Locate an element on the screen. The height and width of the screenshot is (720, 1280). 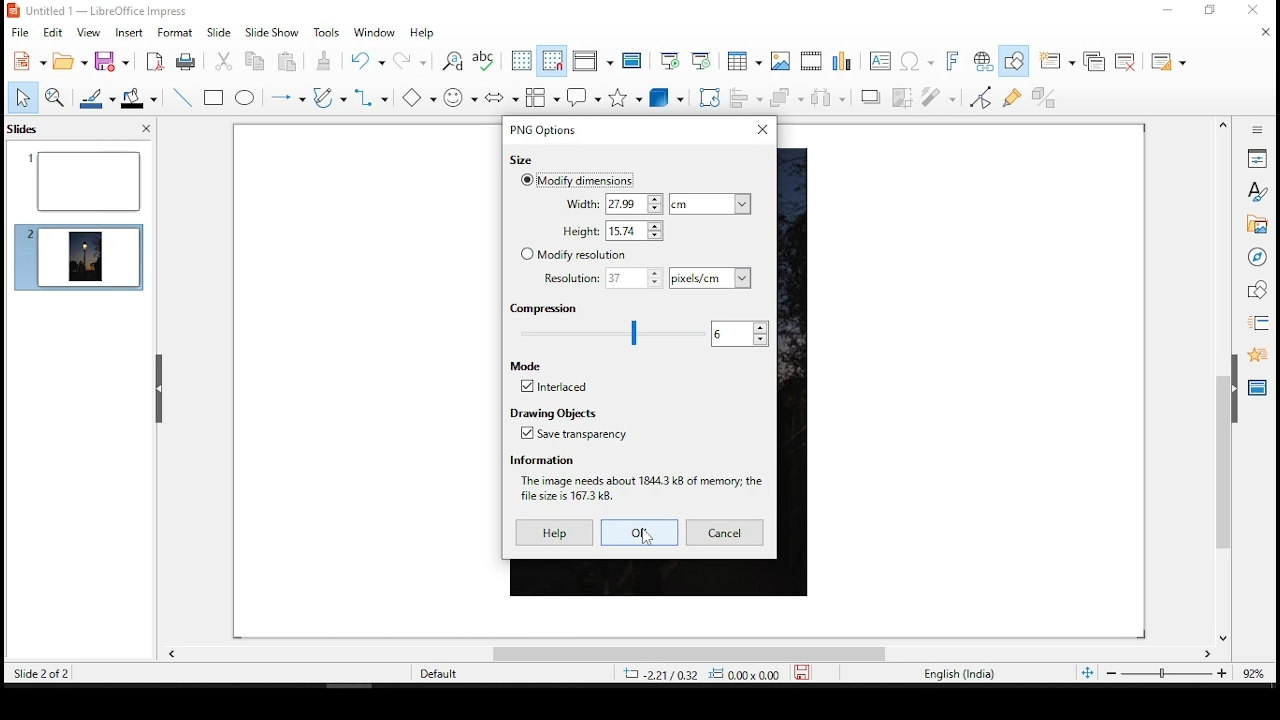
find and replace is located at coordinates (450, 59).